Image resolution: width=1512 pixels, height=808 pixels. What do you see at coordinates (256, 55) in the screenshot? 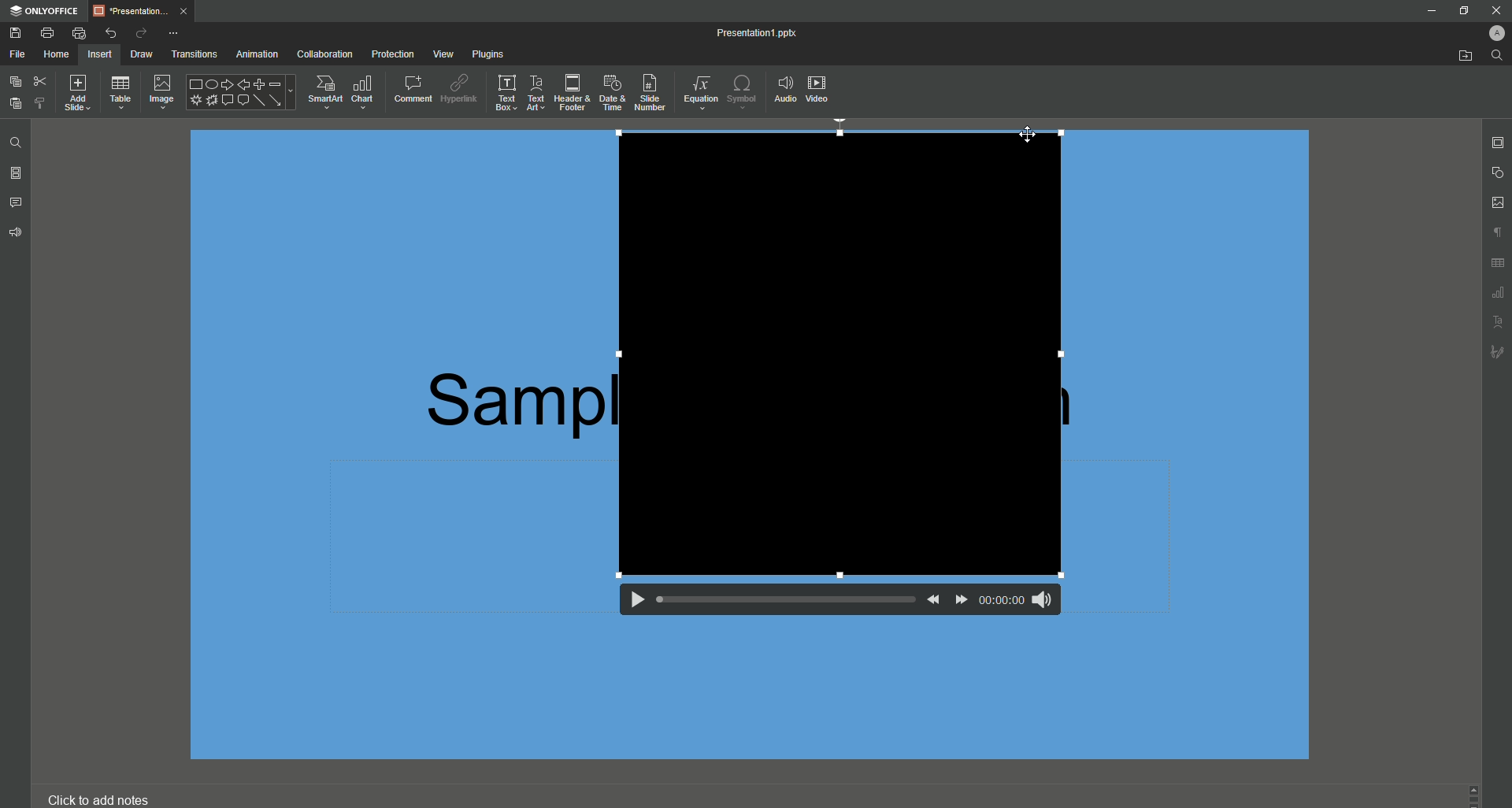
I see `Animation` at bounding box center [256, 55].